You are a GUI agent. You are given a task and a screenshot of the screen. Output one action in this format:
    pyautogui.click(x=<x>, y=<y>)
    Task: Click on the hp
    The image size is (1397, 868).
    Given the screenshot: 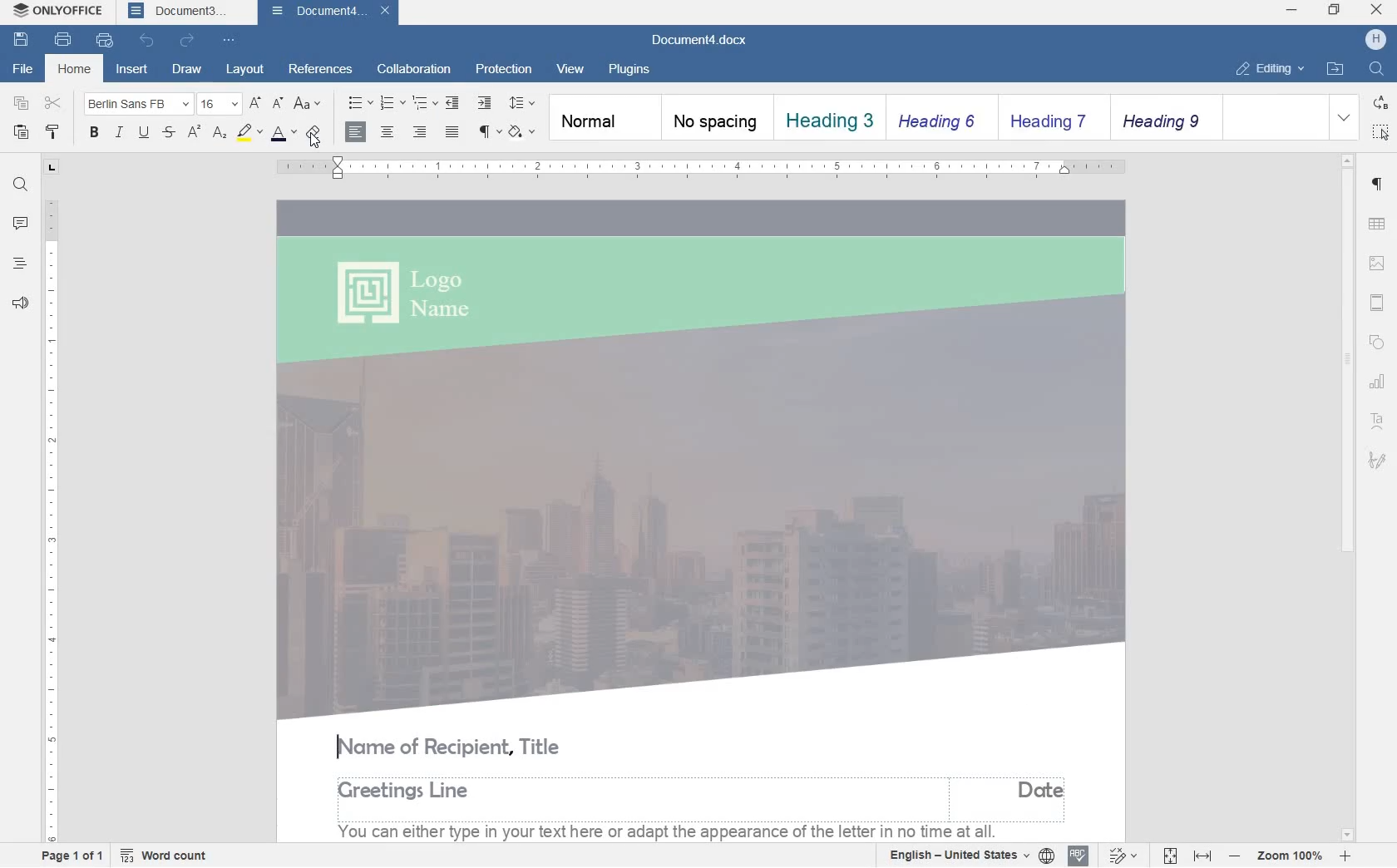 What is the action you would take?
    pyautogui.click(x=1376, y=42)
    